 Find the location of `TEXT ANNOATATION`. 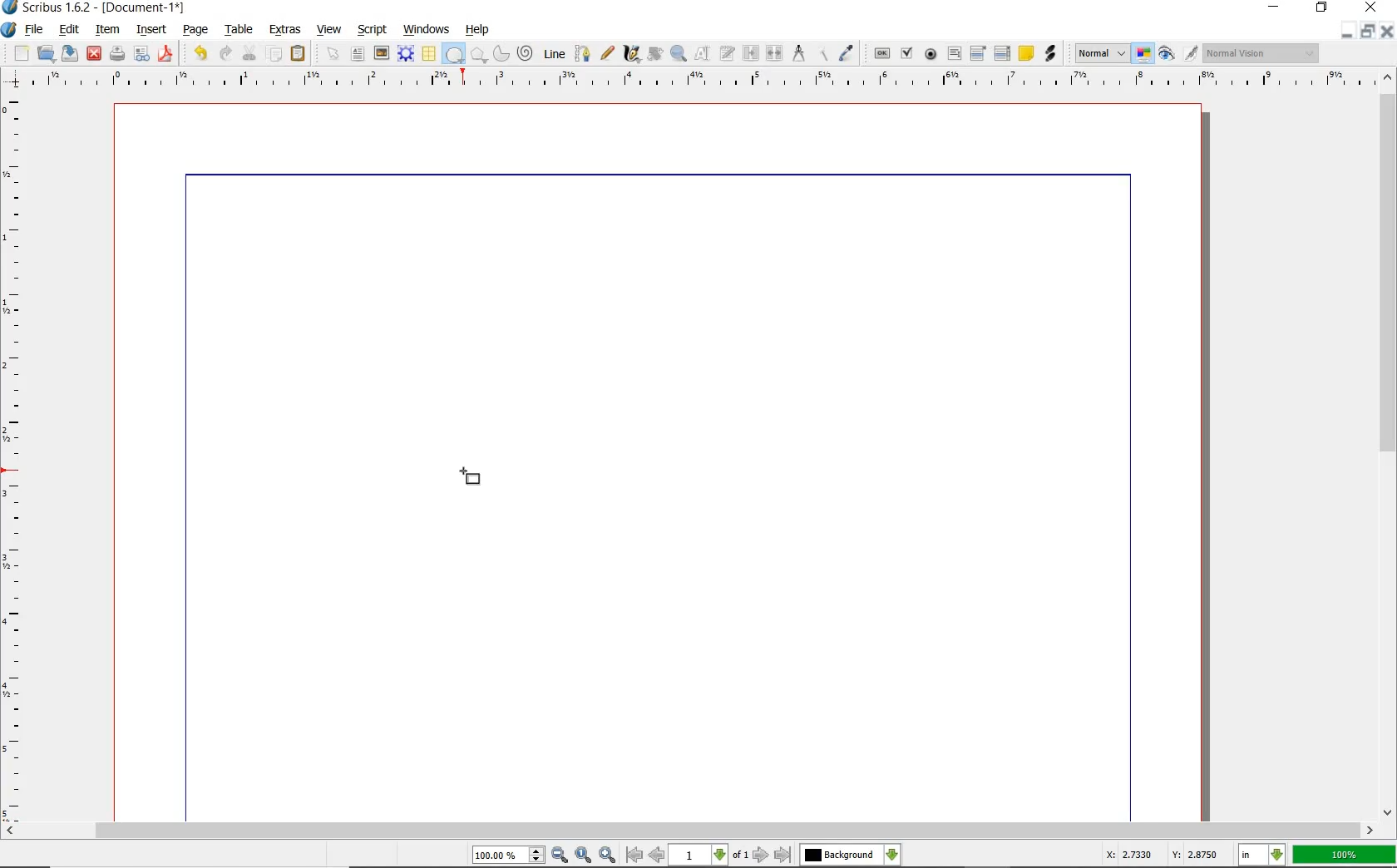

TEXT ANNOATATION is located at coordinates (1025, 52).